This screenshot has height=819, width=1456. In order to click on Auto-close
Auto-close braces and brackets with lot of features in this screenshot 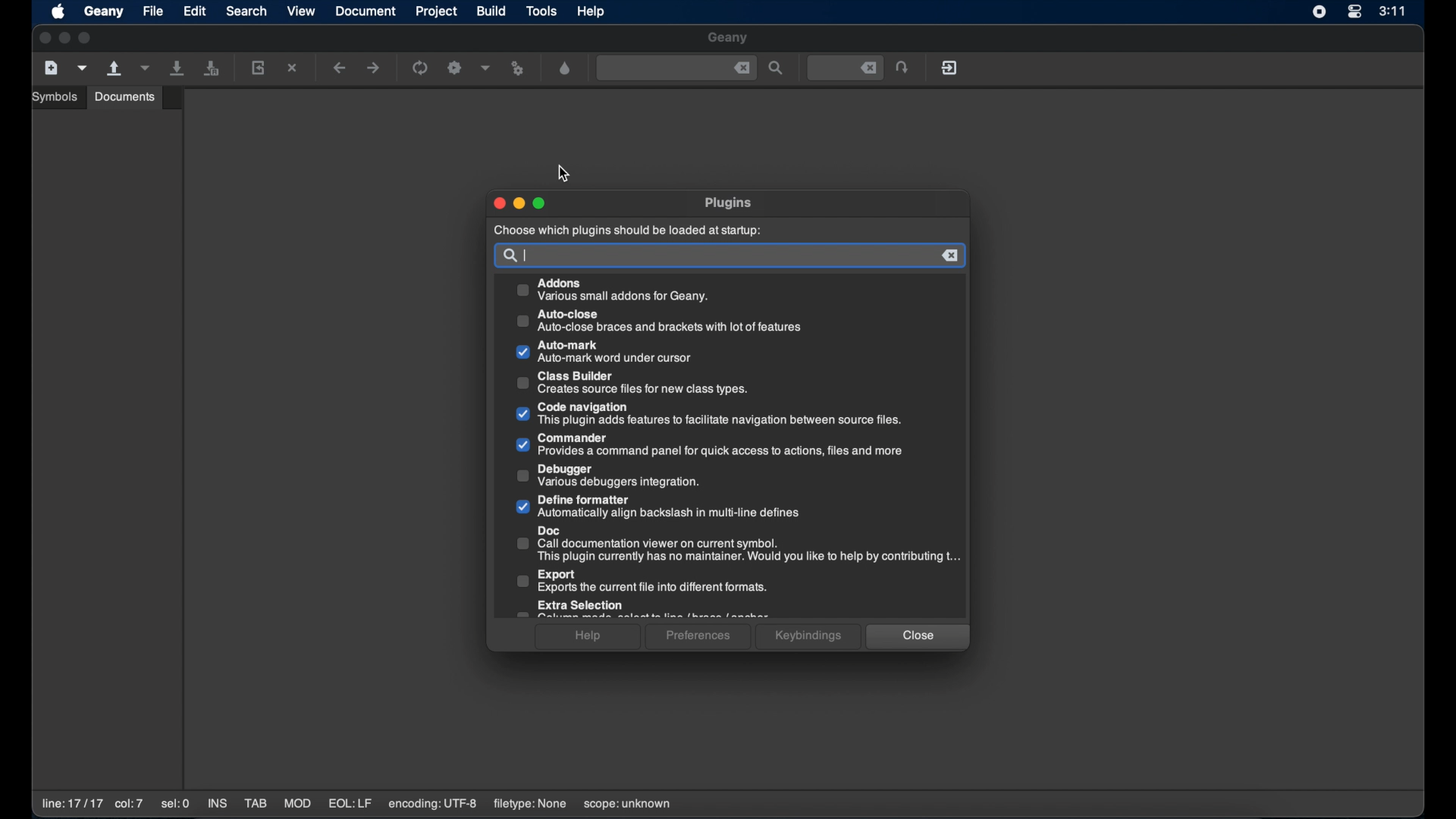, I will do `click(686, 322)`.